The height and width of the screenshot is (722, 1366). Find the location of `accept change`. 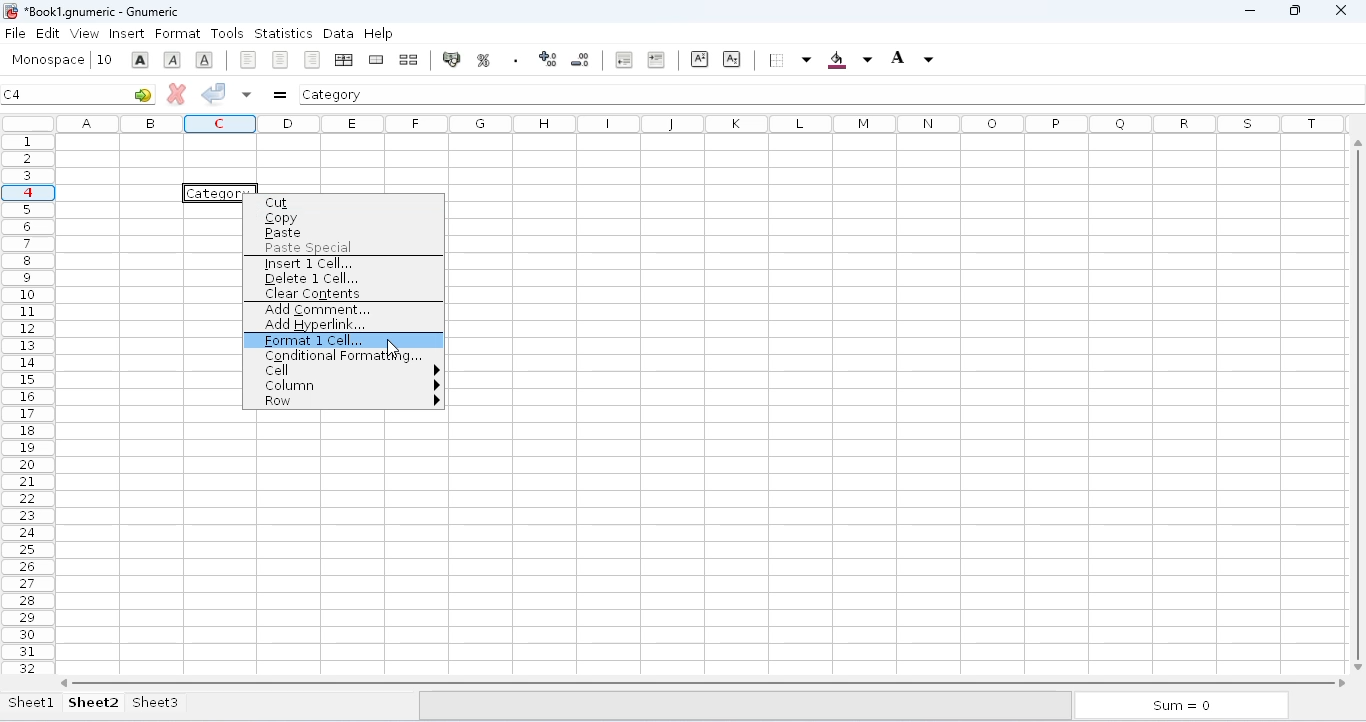

accept change is located at coordinates (214, 92).